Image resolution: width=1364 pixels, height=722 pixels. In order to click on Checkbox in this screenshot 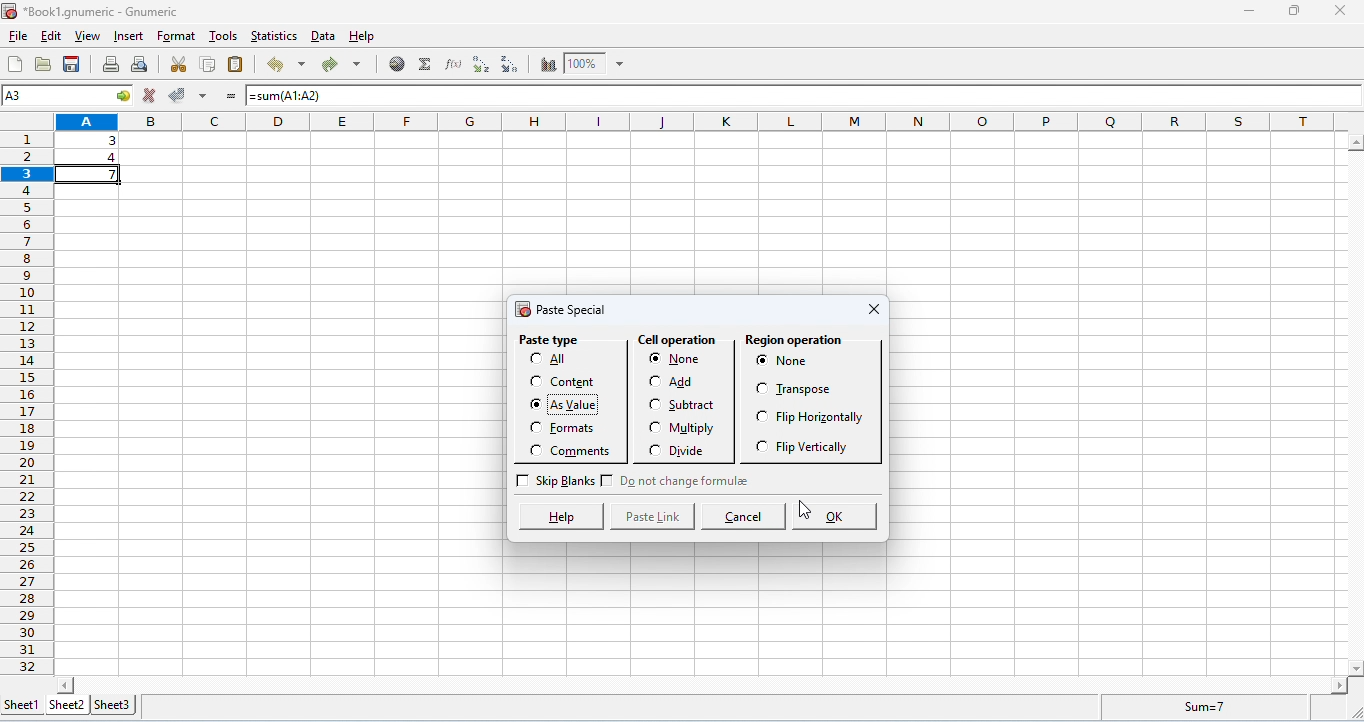, I will do `click(534, 381)`.